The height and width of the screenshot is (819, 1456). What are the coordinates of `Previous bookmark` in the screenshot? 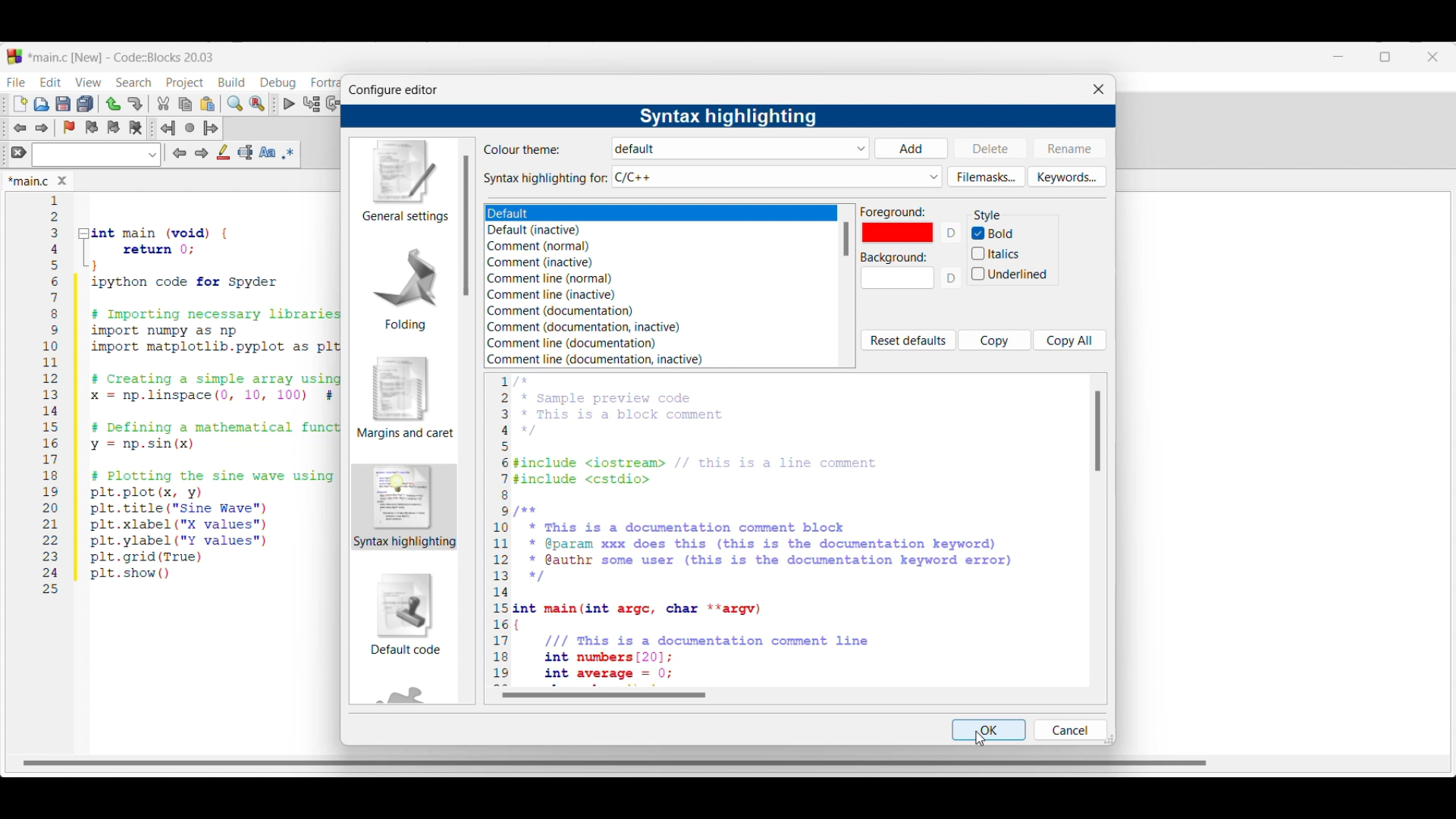 It's located at (91, 127).